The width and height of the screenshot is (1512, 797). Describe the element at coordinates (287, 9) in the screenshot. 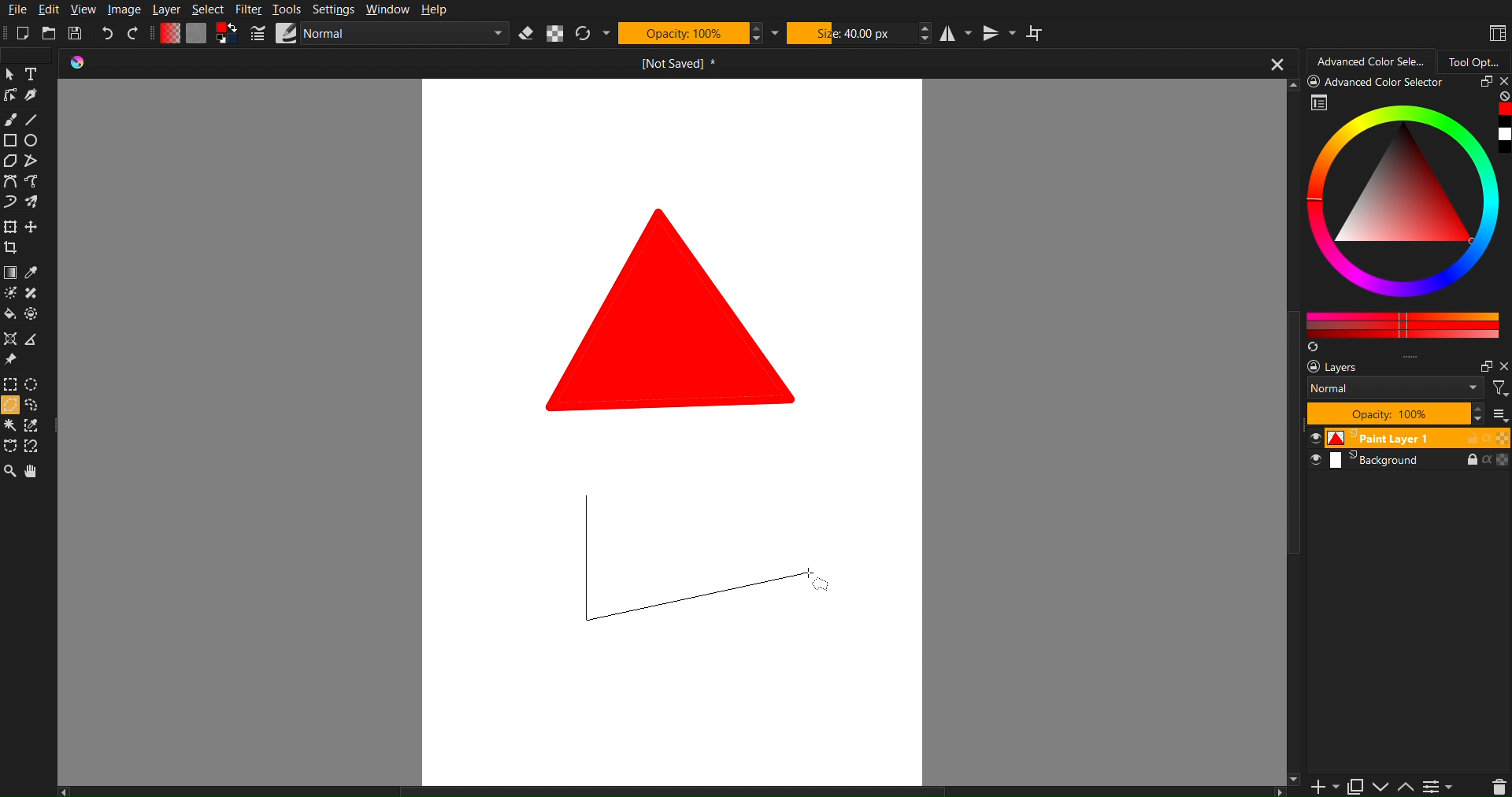

I see `Tools` at that location.